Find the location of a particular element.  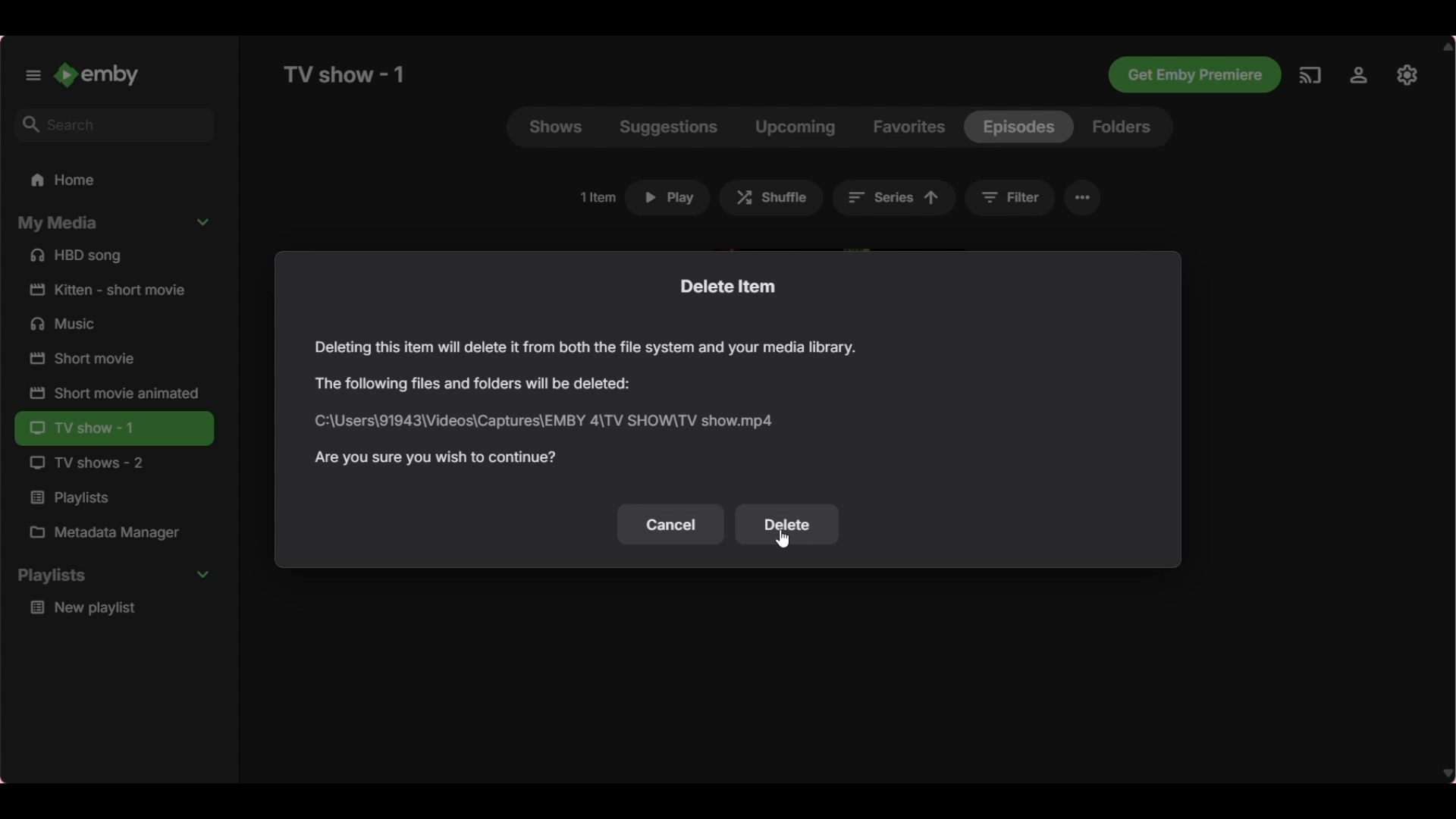

Go to home is located at coordinates (98, 74).